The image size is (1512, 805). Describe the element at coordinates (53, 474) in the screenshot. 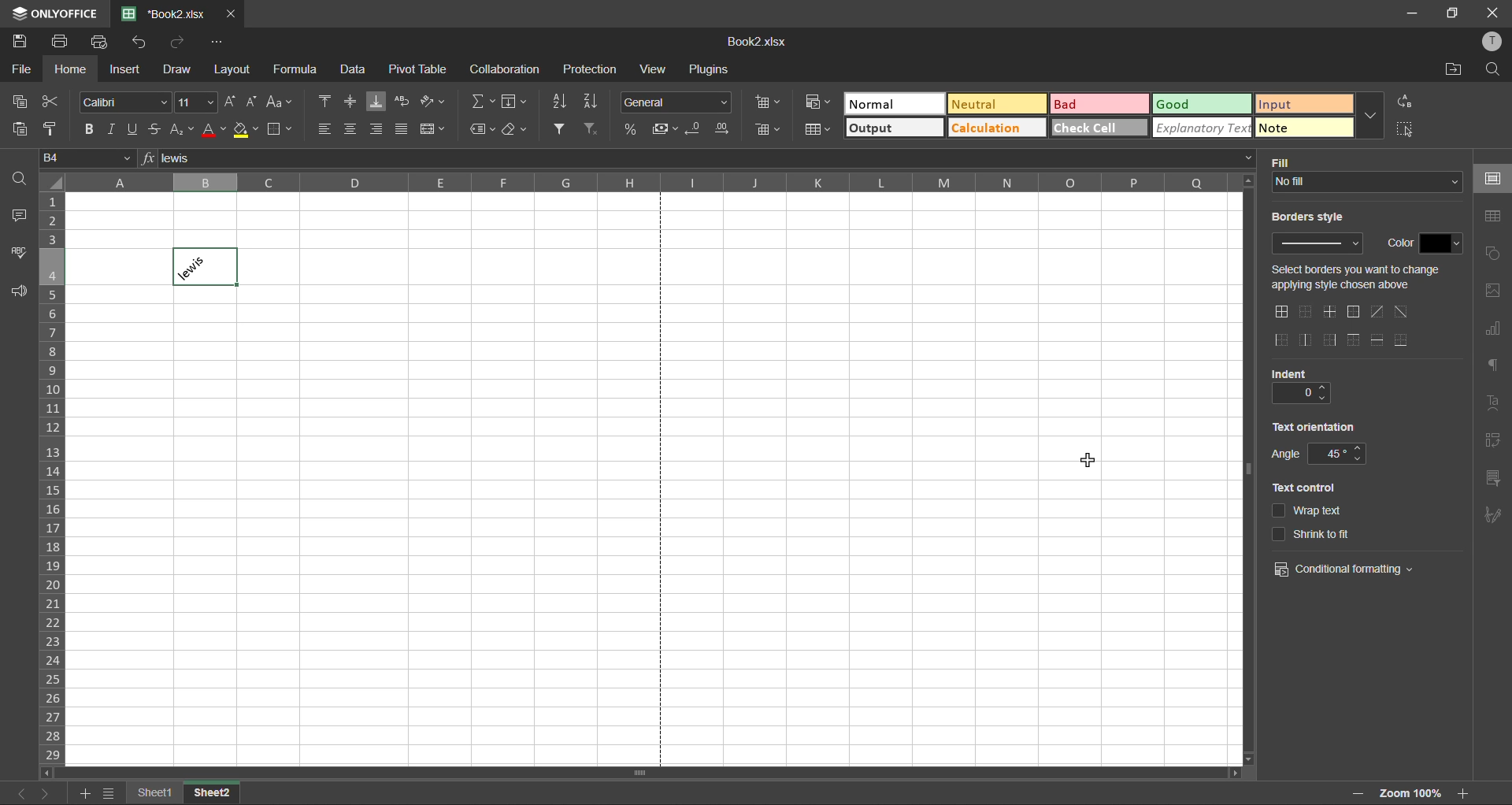

I see `row numbers` at that location.